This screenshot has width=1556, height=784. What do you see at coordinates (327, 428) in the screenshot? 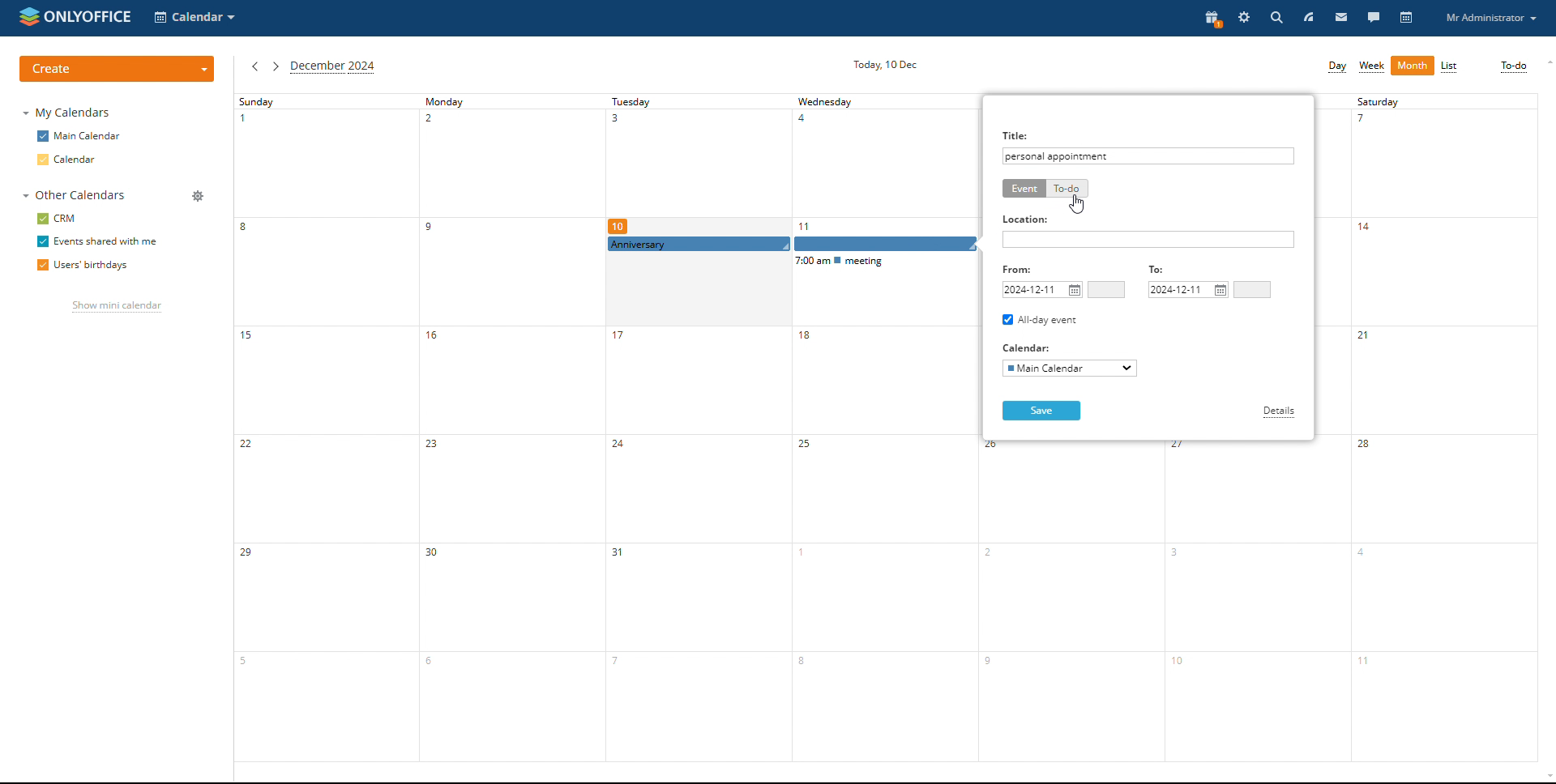
I see `sunday` at bounding box center [327, 428].